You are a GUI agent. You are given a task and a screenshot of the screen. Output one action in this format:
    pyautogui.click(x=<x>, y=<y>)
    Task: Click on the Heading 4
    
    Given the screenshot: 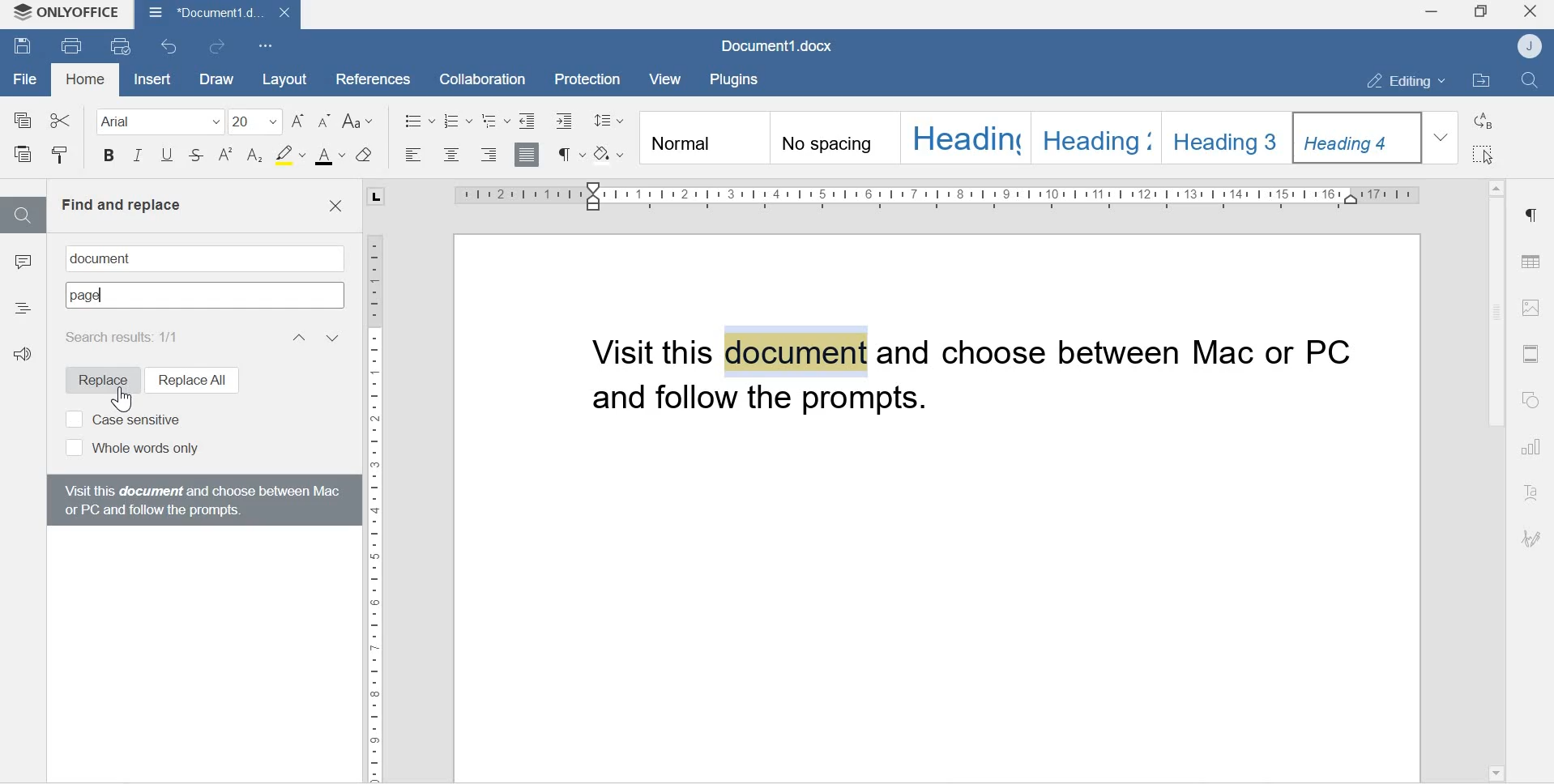 What is the action you would take?
    pyautogui.click(x=1359, y=138)
    